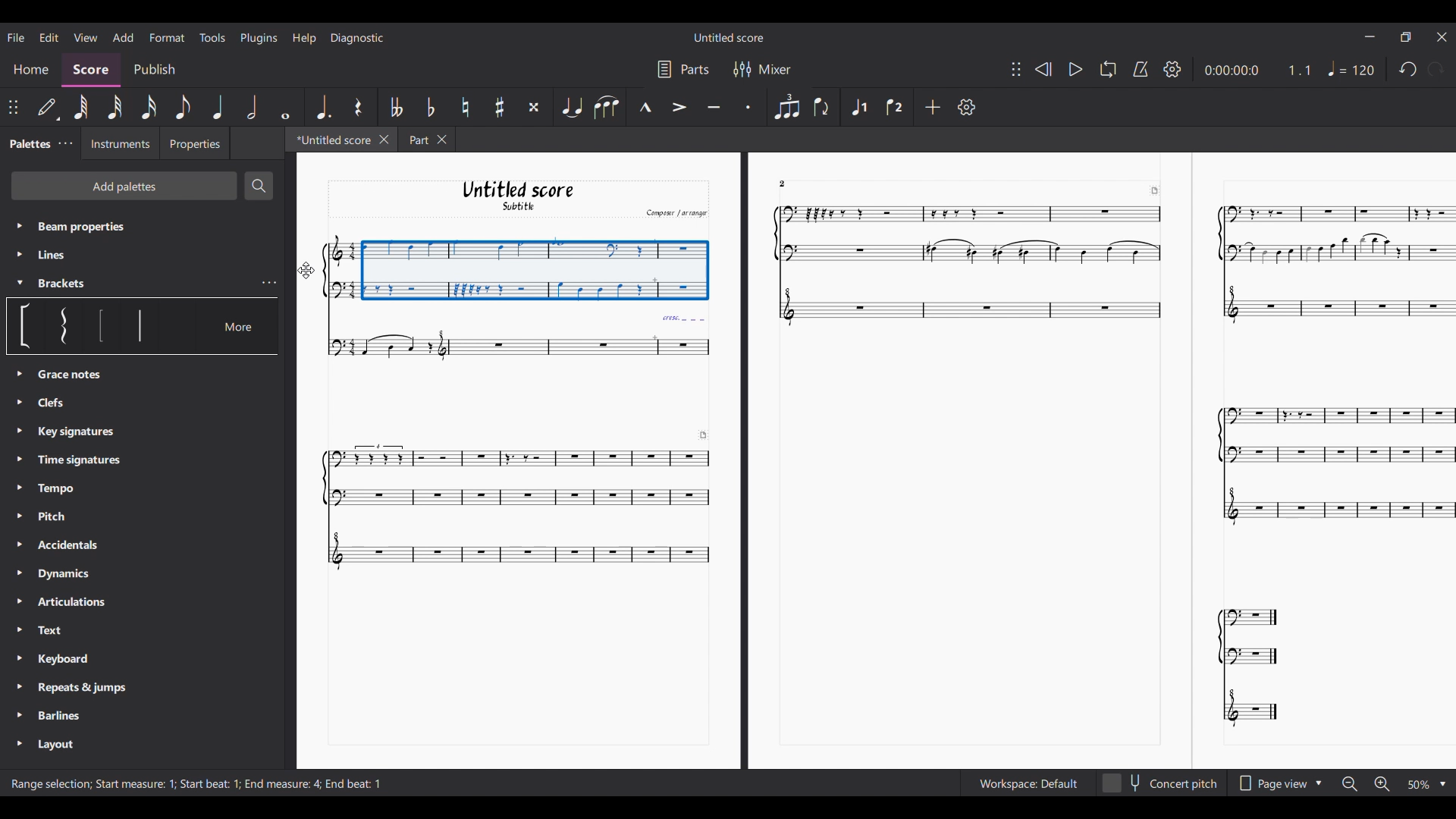  What do you see at coordinates (357, 38) in the screenshot?
I see `Diagnostic` at bounding box center [357, 38].